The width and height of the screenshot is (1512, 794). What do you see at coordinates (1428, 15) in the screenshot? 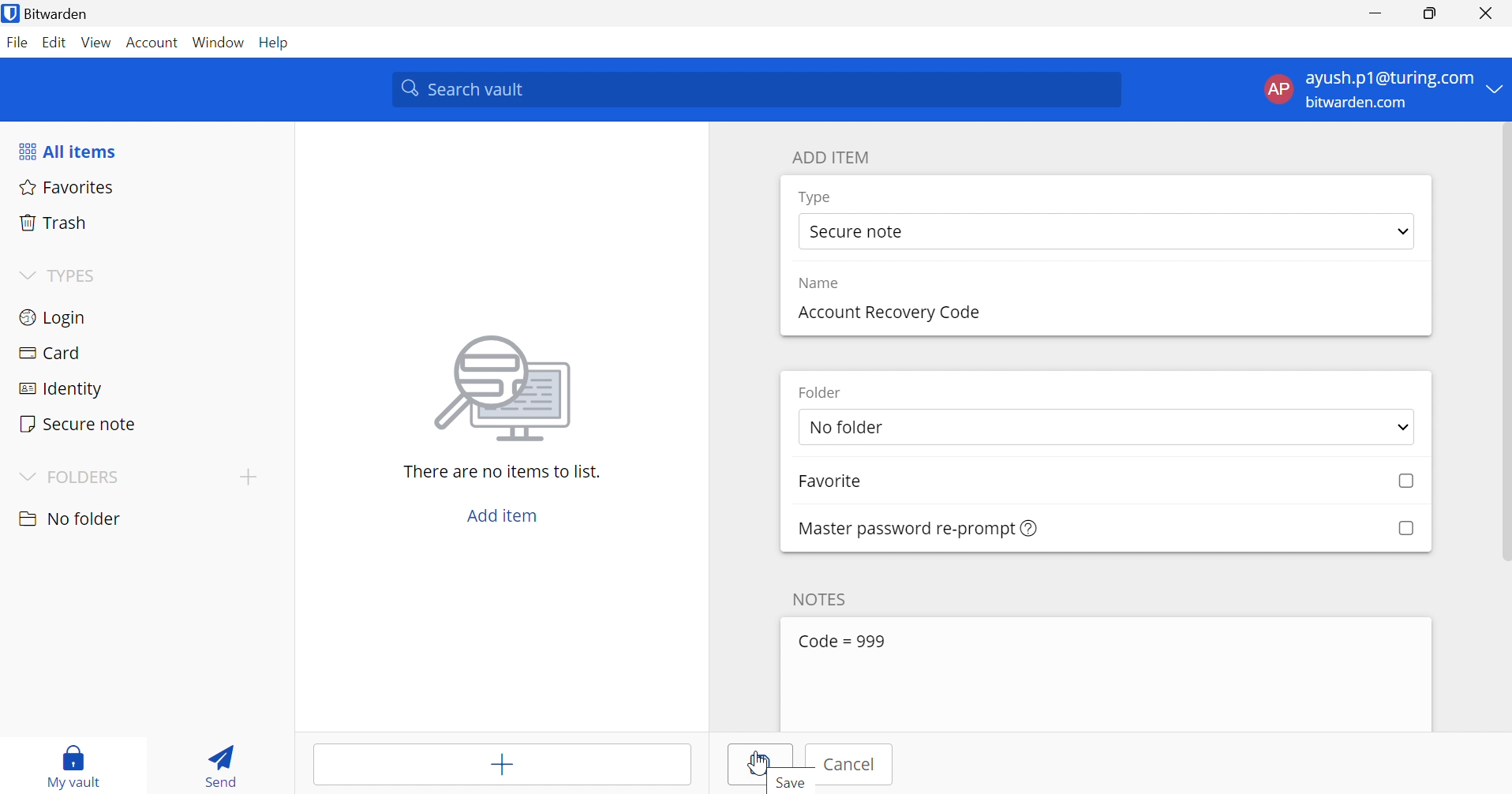
I see `Restore Down` at bounding box center [1428, 15].